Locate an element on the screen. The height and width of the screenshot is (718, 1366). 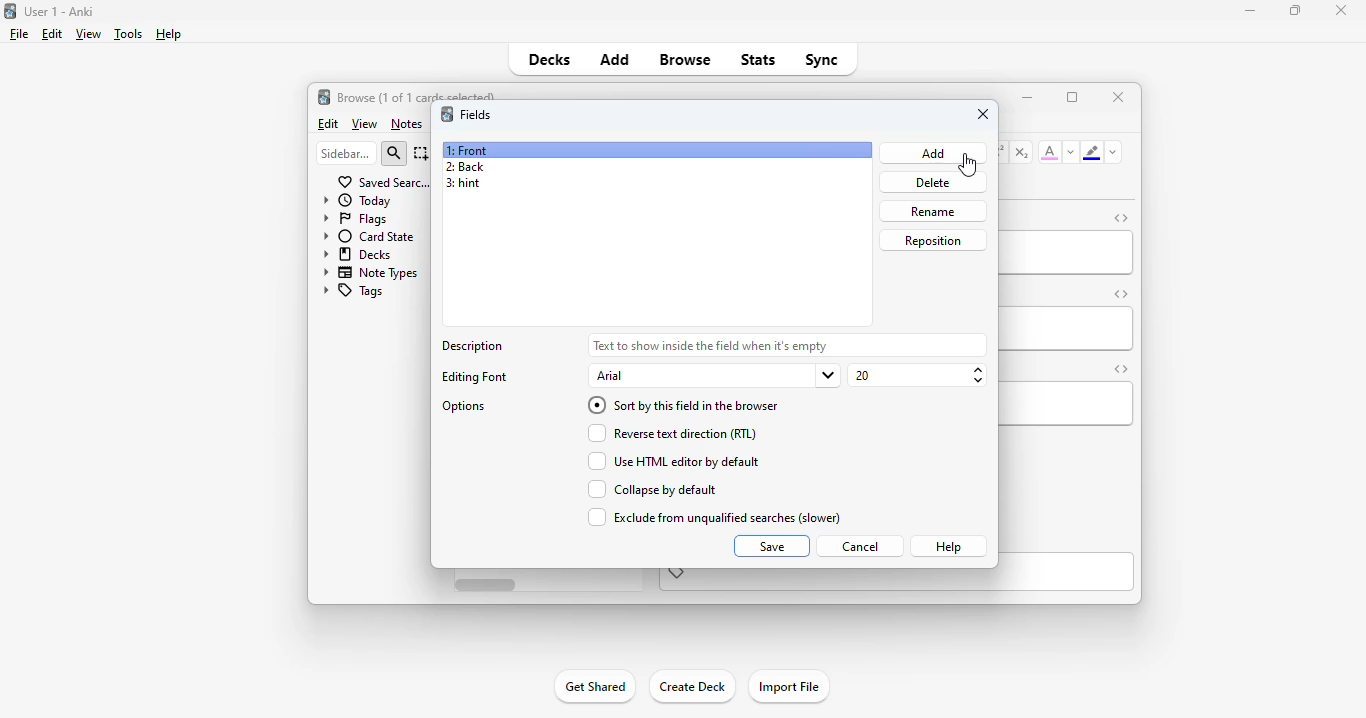
rename is located at coordinates (932, 211).